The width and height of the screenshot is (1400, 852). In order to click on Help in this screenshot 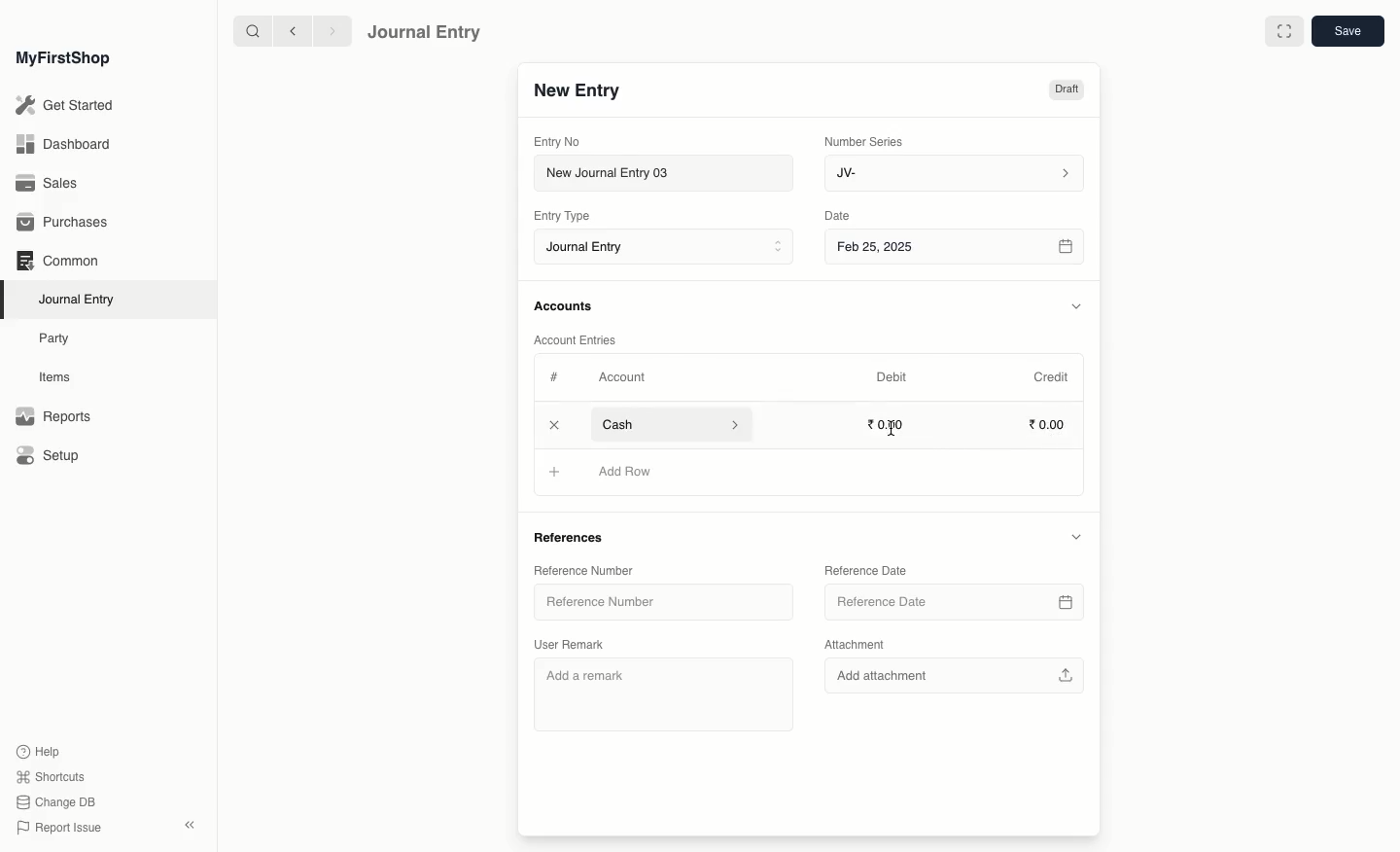, I will do `click(36, 750)`.